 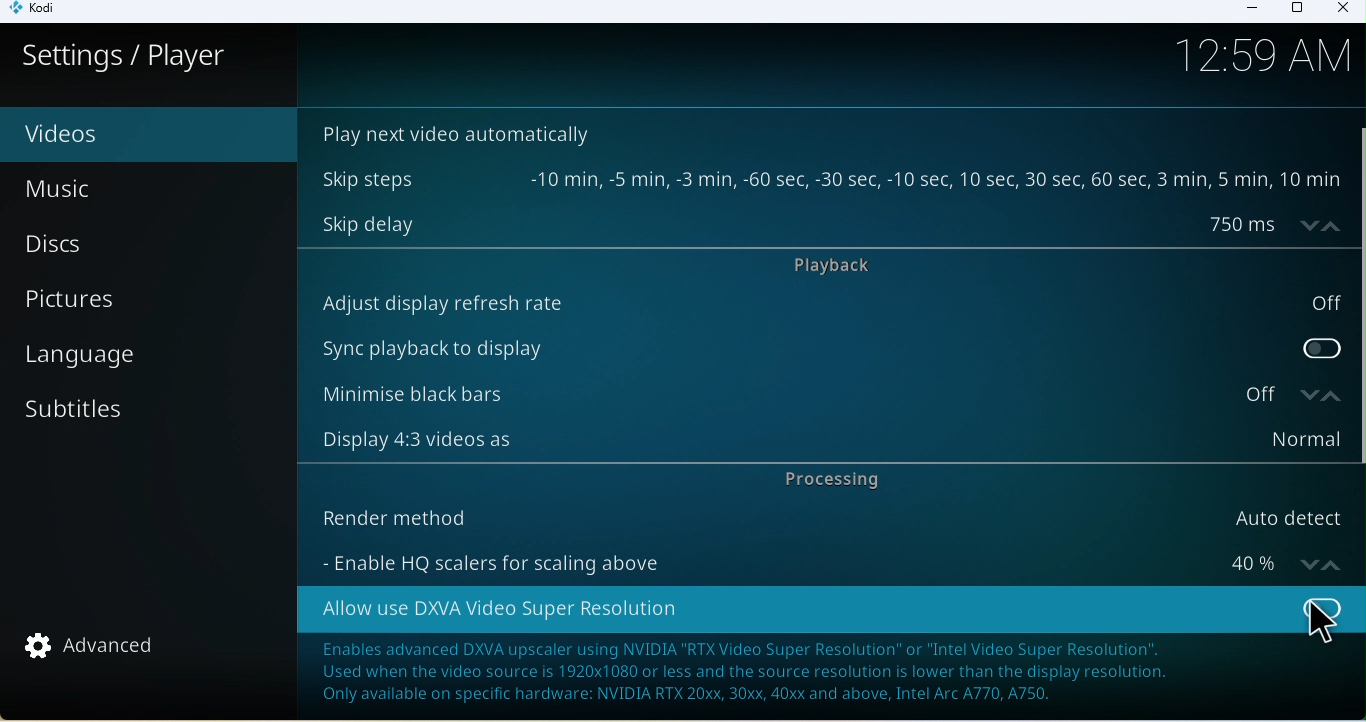 I want to click on Cursor, so click(x=1322, y=621).